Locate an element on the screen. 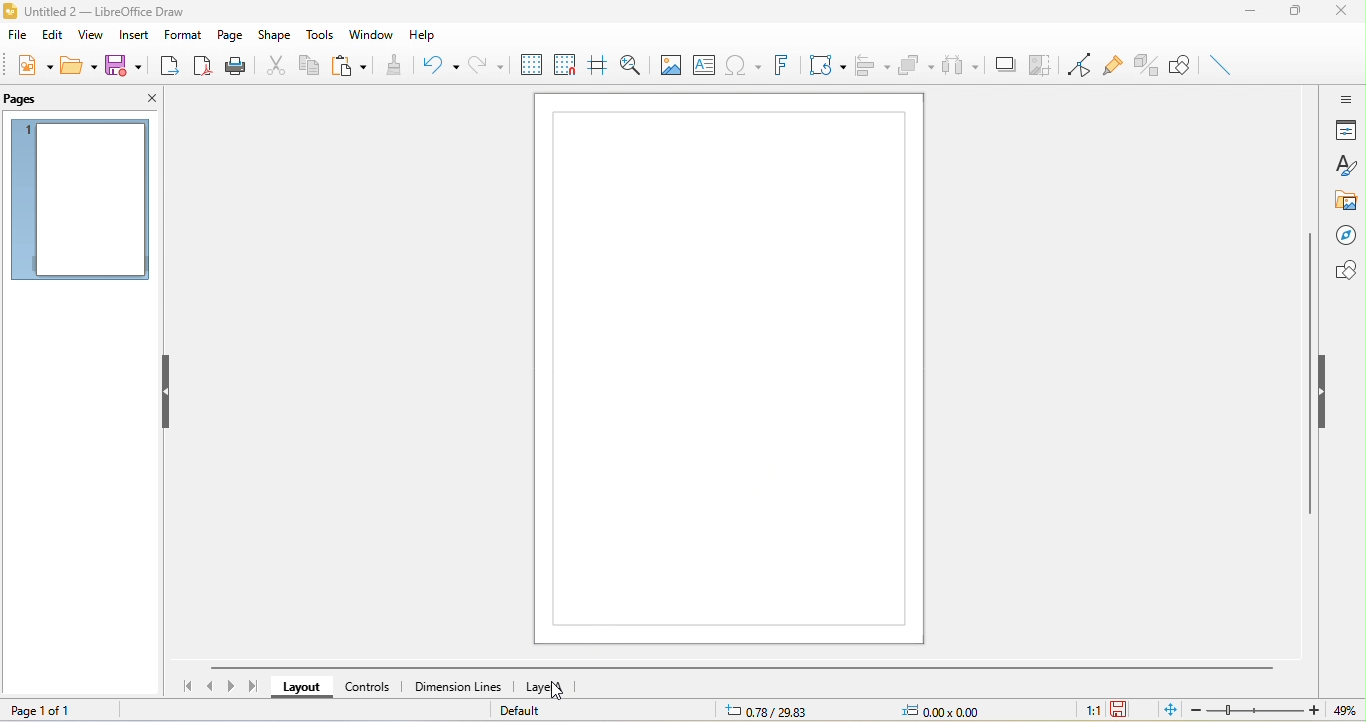  horizontal scroll bar is located at coordinates (756, 667).